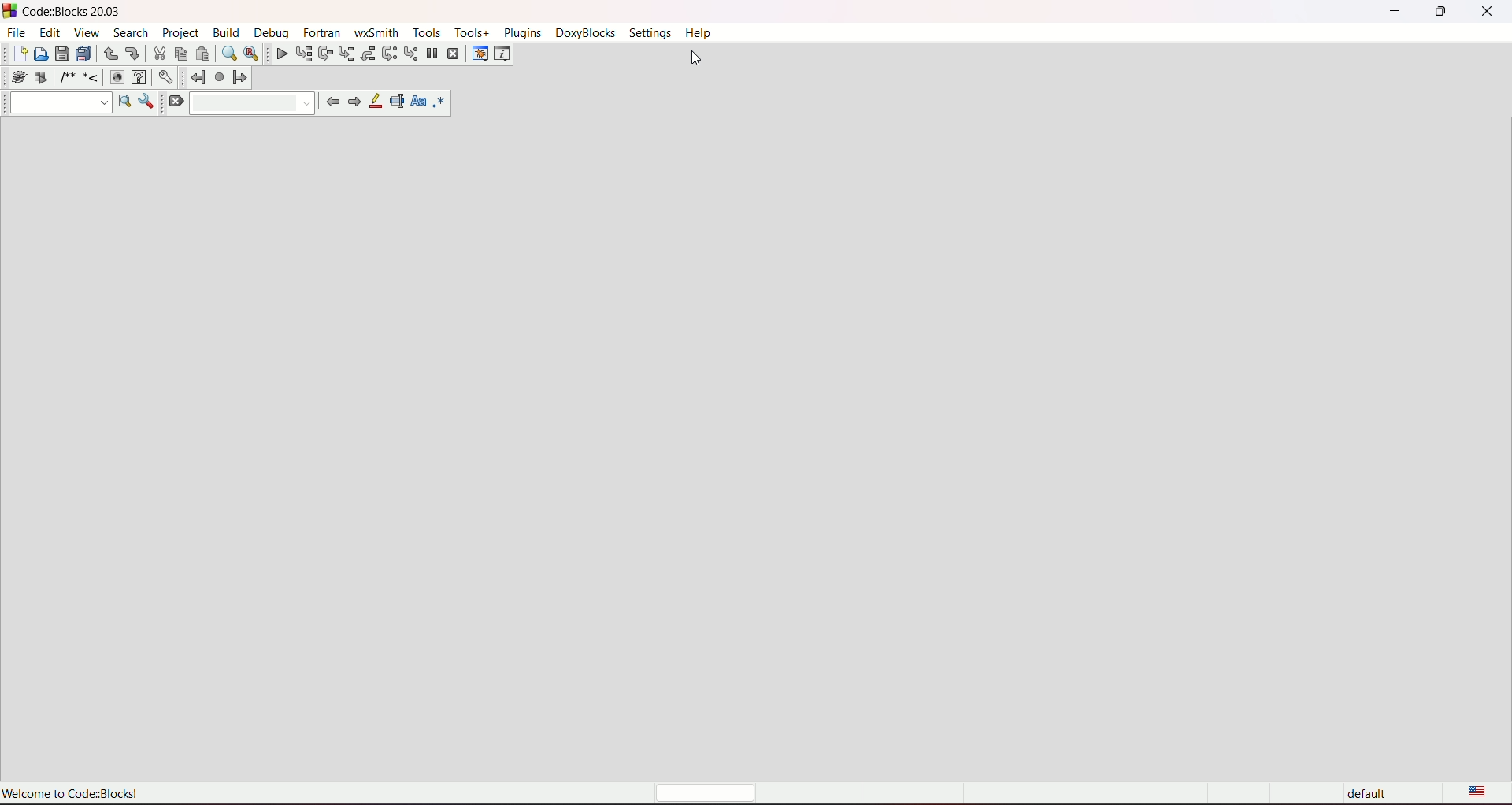 The width and height of the screenshot is (1512, 805). What do you see at coordinates (105, 102) in the screenshot?
I see `Drop dpwn` at bounding box center [105, 102].